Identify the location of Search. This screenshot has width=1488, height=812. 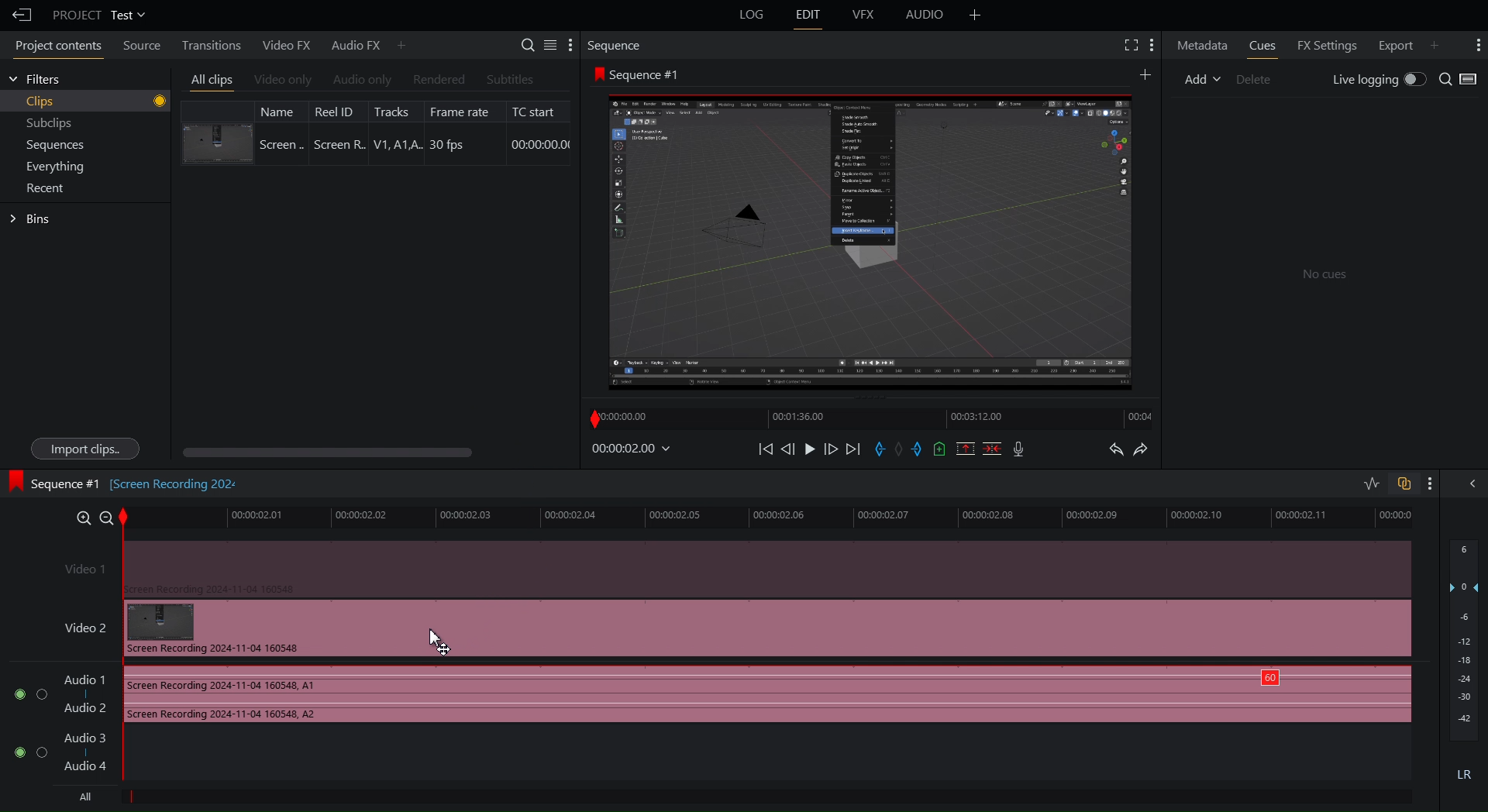
(1459, 80).